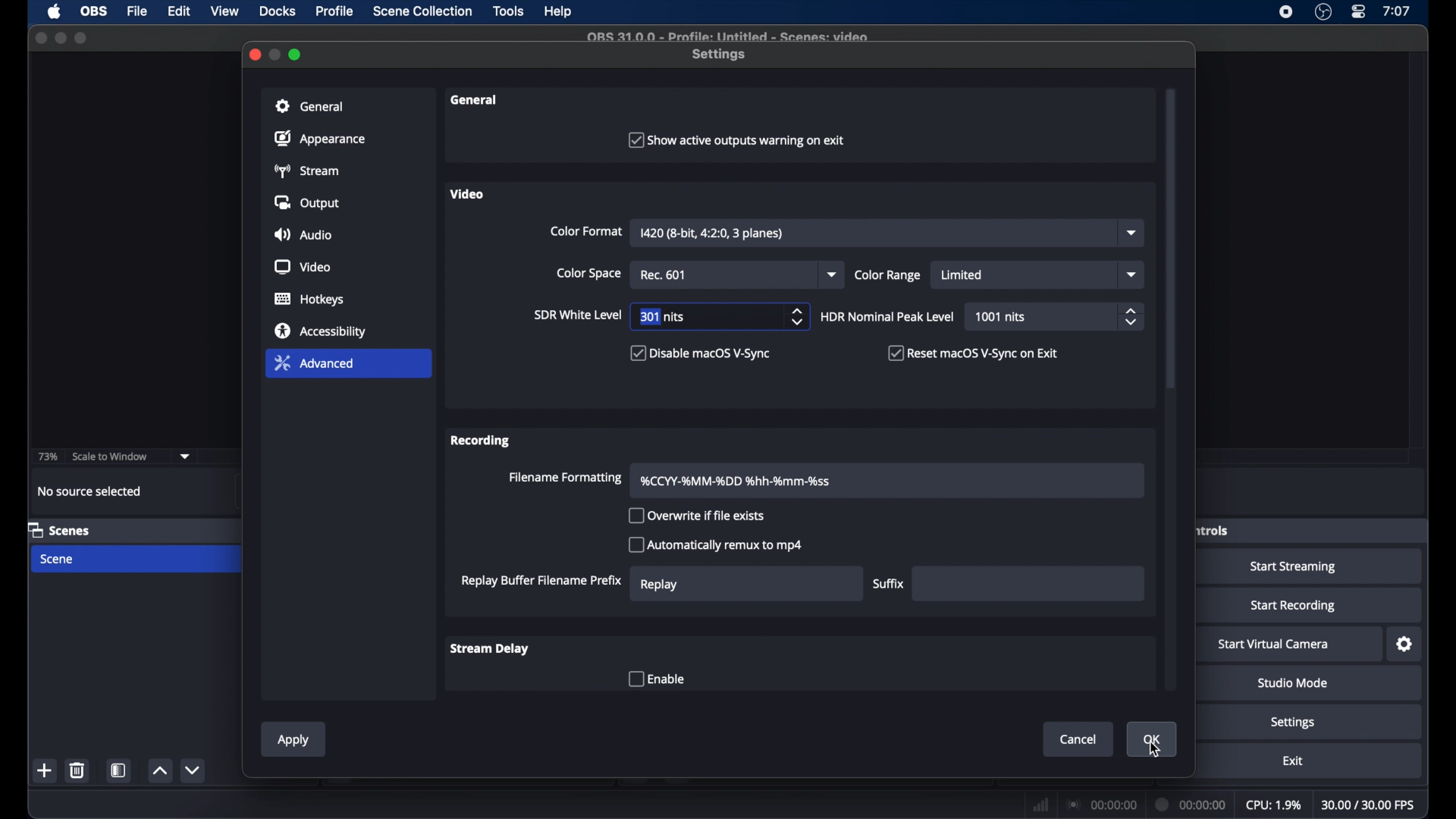 The width and height of the screenshot is (1456, 819). Describe the element at coordinates (736, 139) in the screenshot. I see `checkbox` at that location.